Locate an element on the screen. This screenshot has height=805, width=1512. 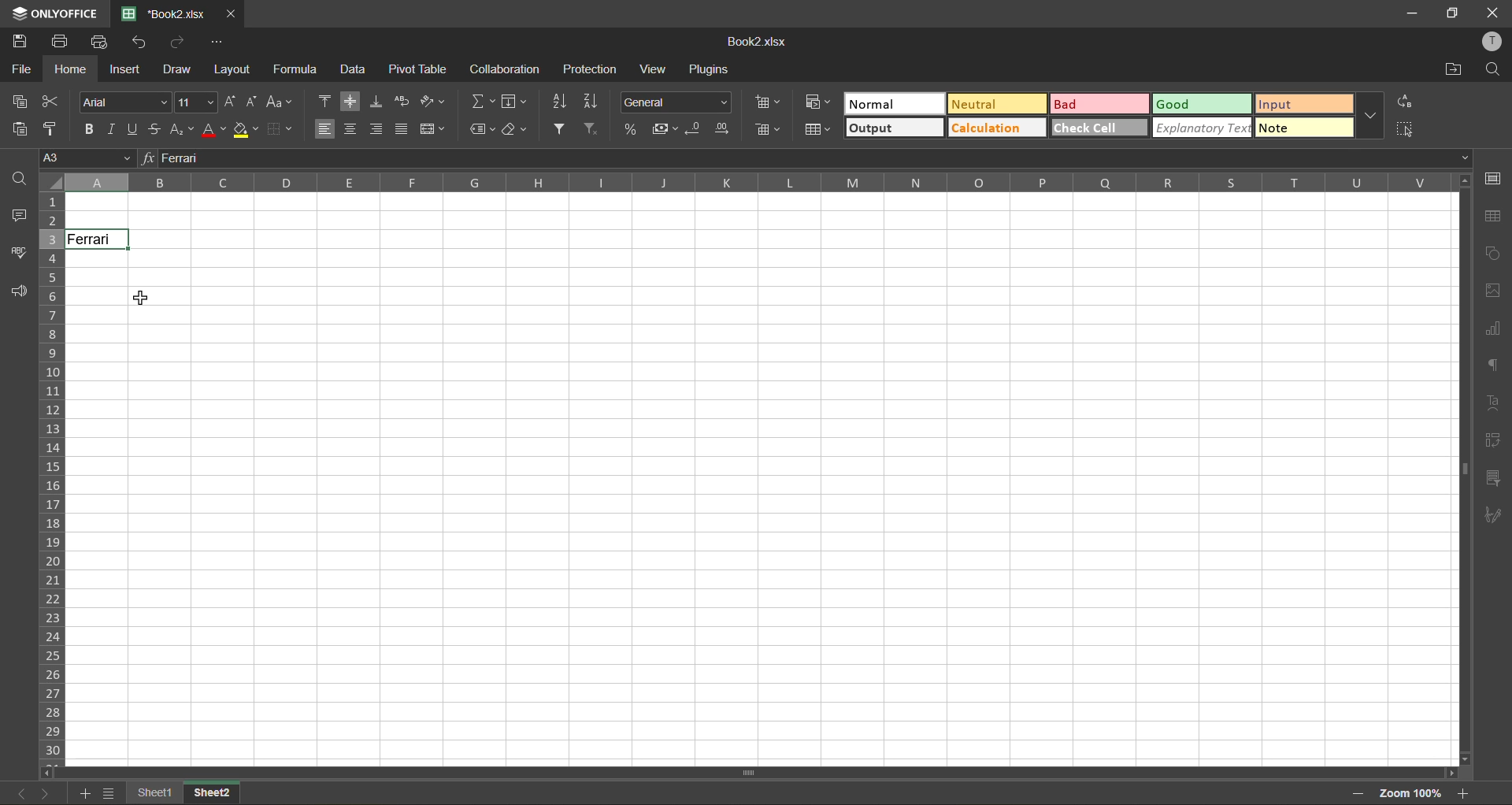
italic is located at coordinates (114, 129).